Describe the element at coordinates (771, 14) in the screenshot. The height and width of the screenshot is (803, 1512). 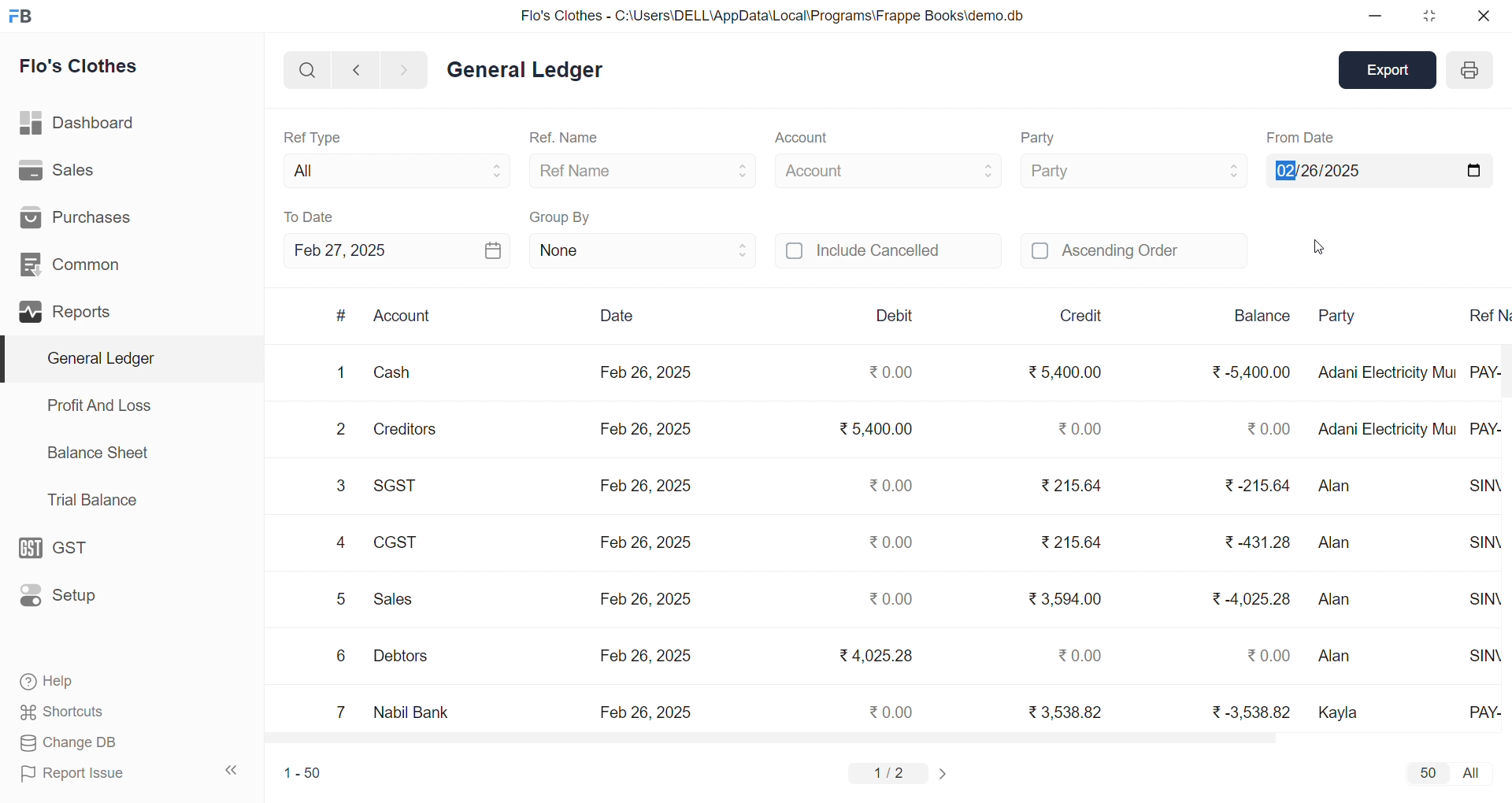
I see `Flo's Clothes - C:\Users\DELL\AppData\Local\Programs\Frappe Books\demo.db` at that location.